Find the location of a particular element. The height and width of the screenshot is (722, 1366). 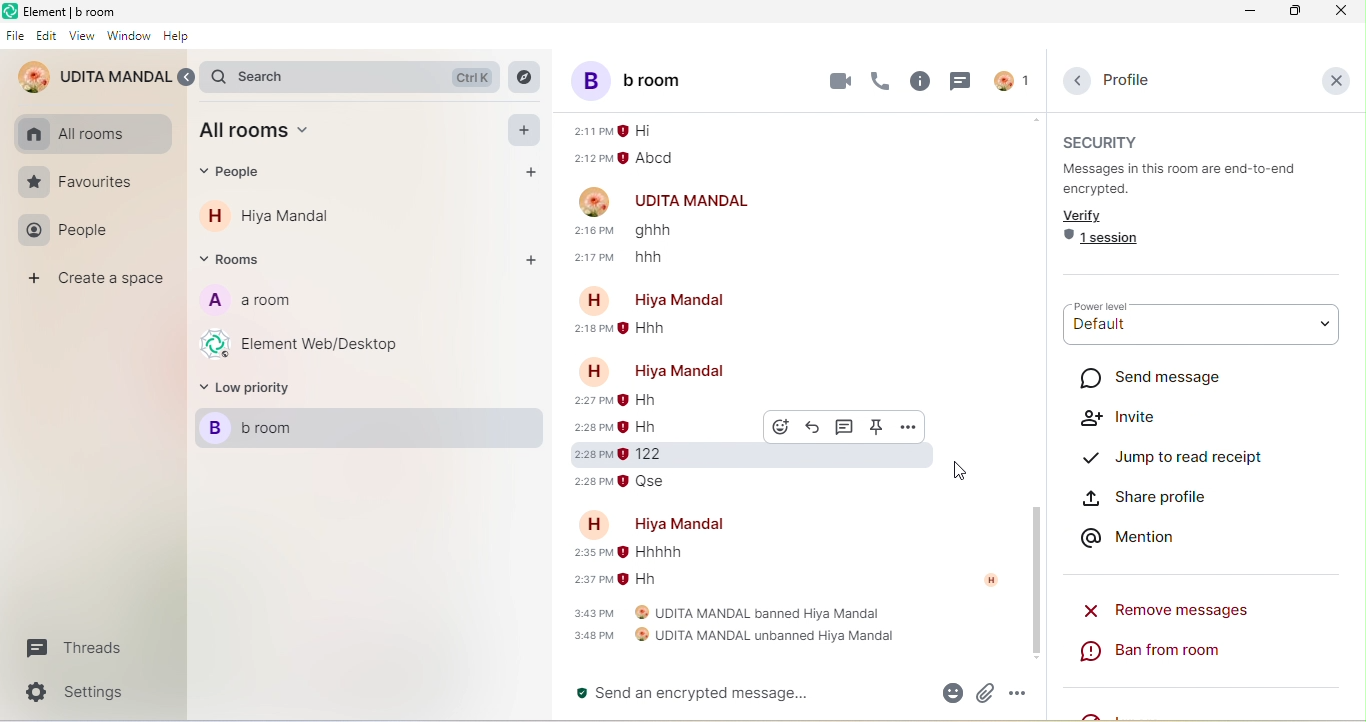

jump to read receipt is located at coordinates (1175, 458).